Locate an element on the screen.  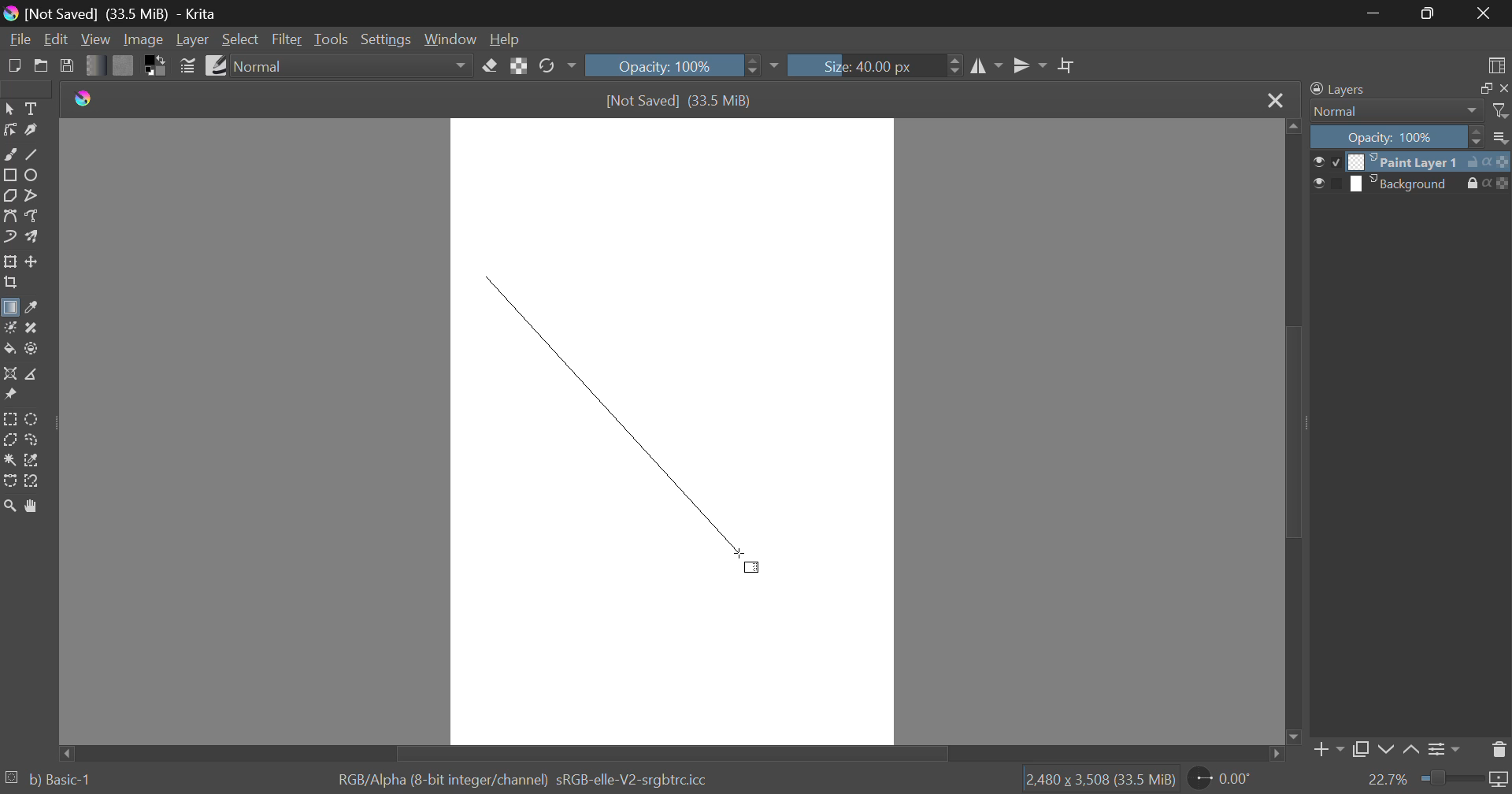
Brush Presets is located at coordinates (214, 64).